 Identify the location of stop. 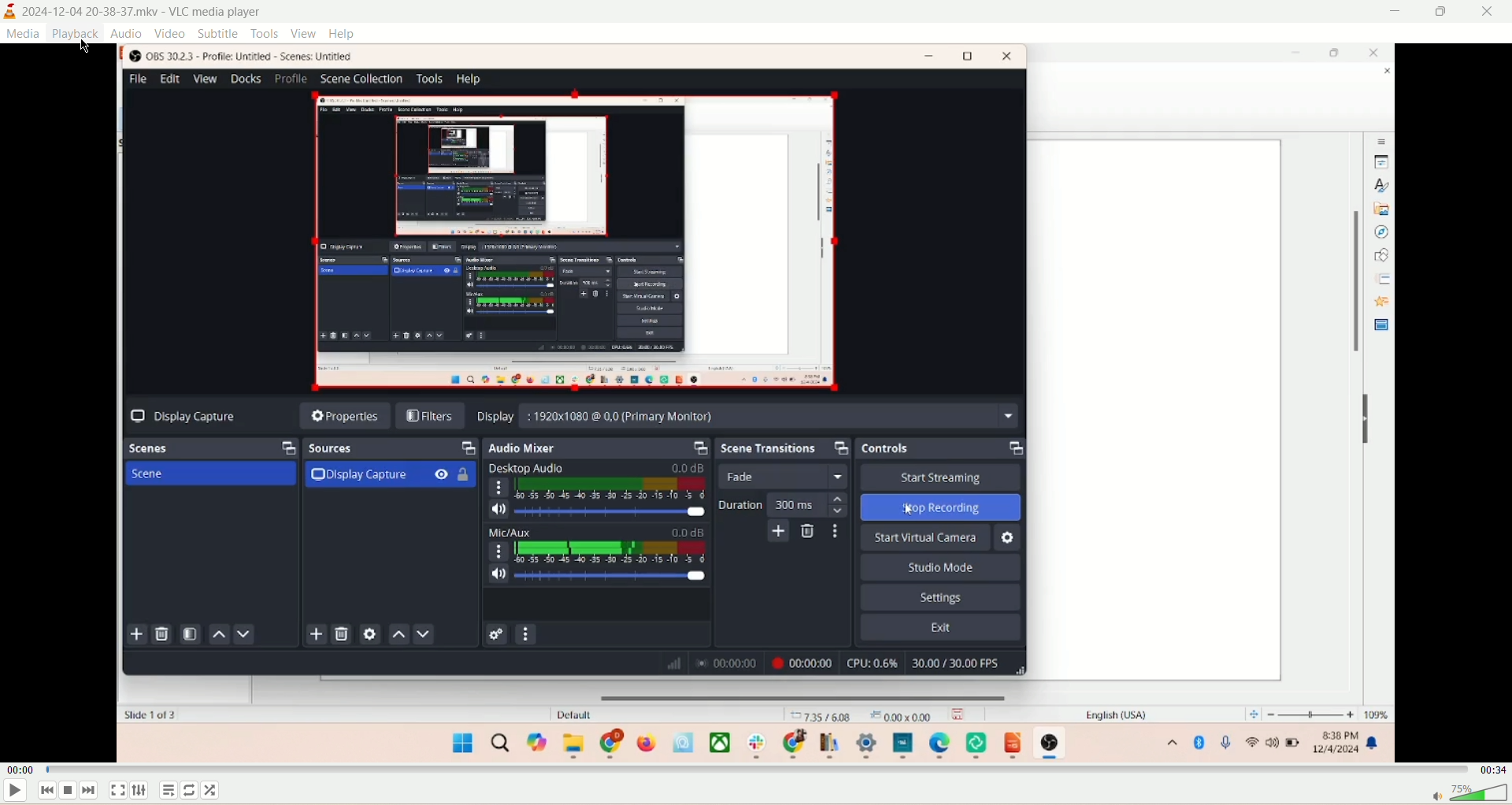
(68, 791).